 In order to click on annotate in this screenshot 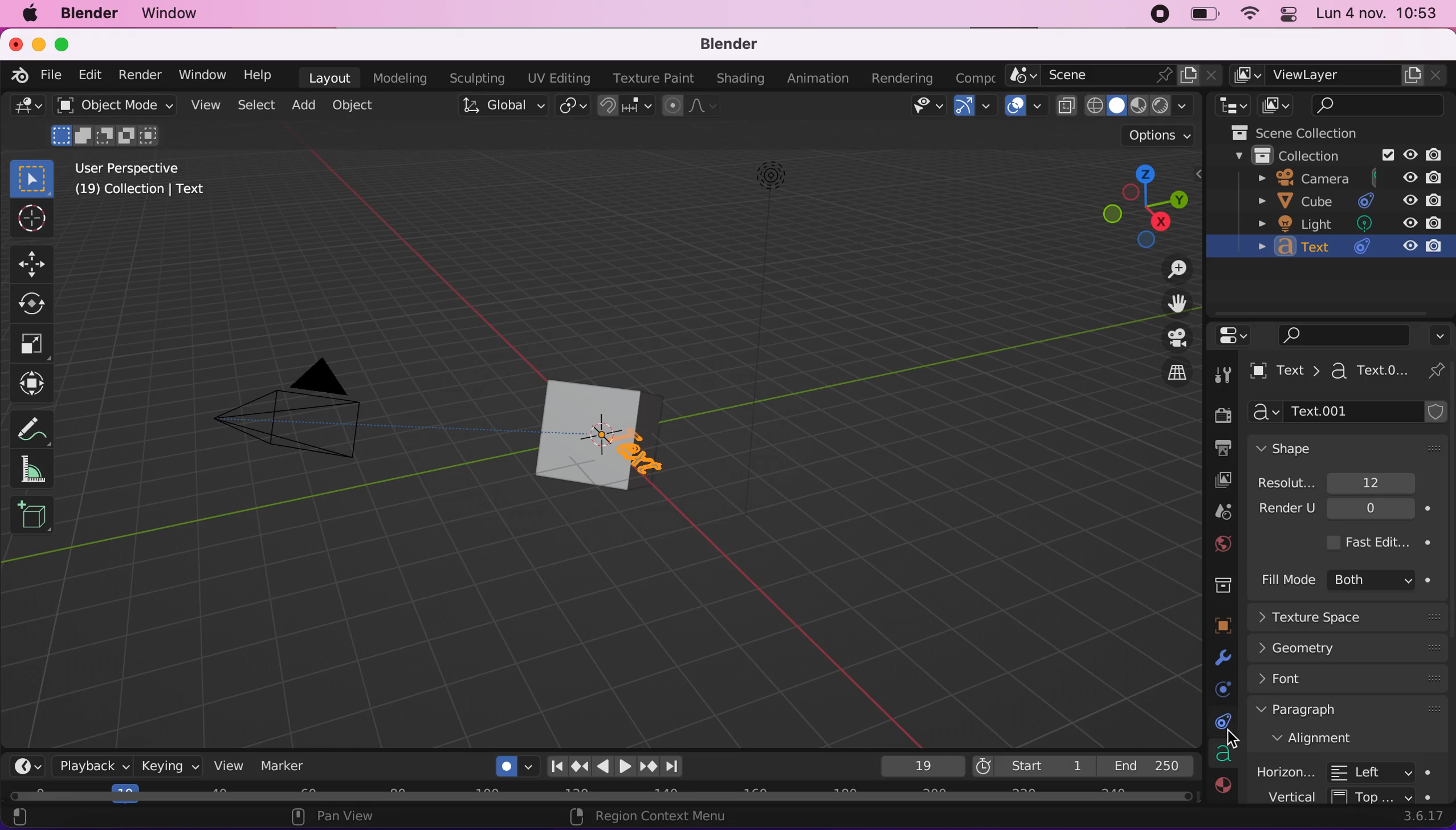, I will do `click(35, 428)`.